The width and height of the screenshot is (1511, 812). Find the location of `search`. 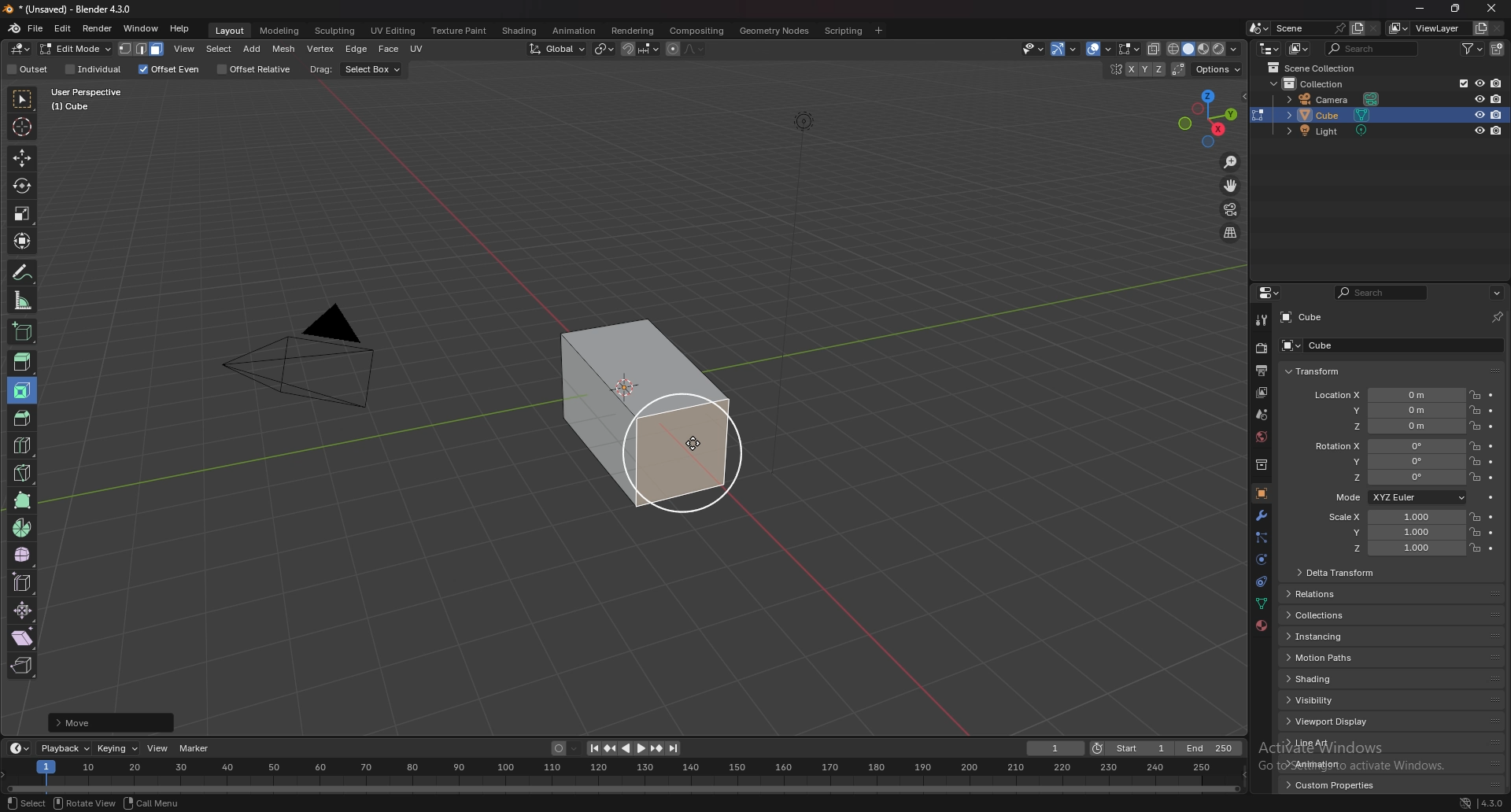

search is located at coordinates (1380, 293).